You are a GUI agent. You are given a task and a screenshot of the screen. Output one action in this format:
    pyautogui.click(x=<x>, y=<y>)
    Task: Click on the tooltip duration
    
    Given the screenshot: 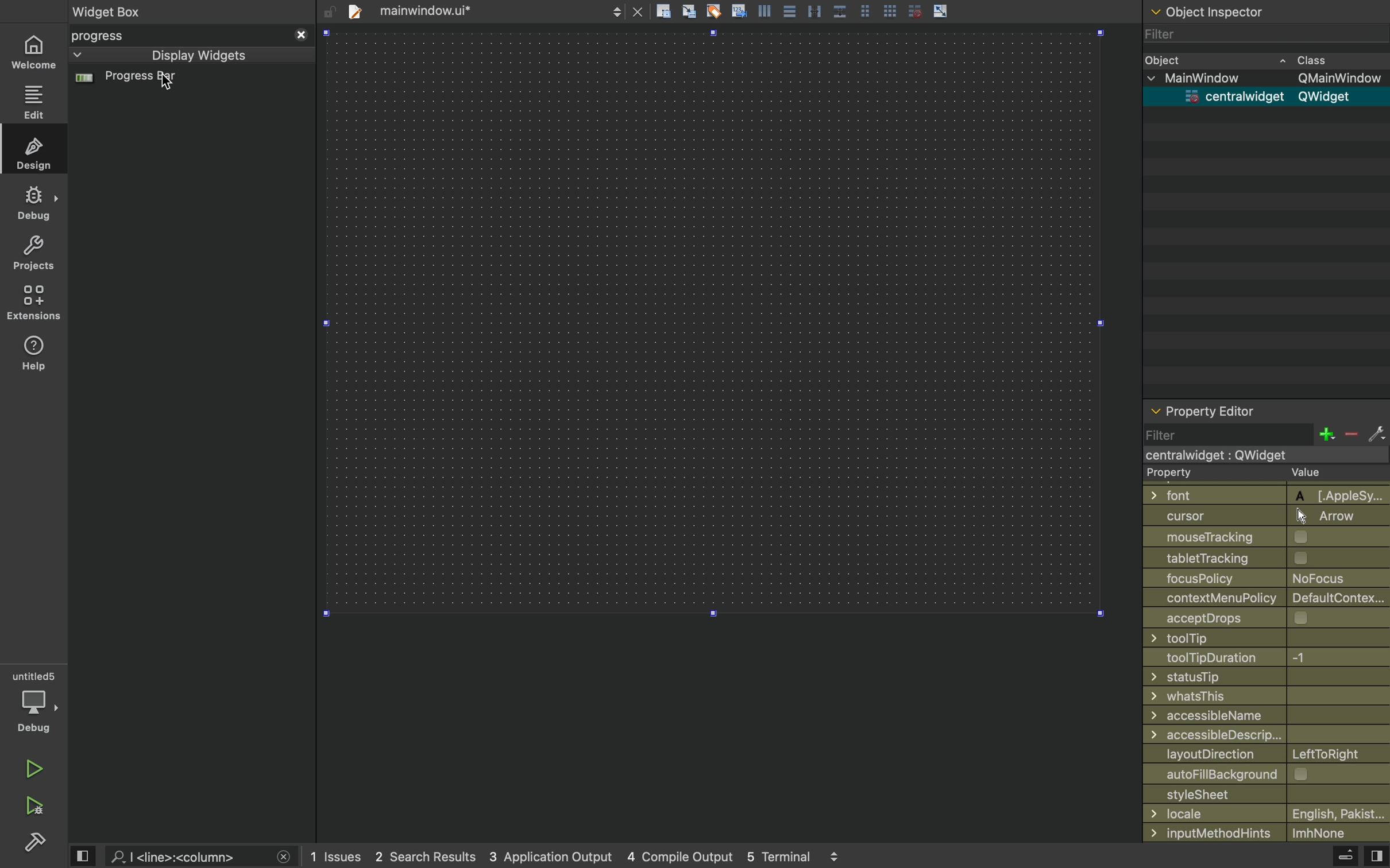 What is the action you would take?
    pyautogui.click(x=1250, y=658)
    